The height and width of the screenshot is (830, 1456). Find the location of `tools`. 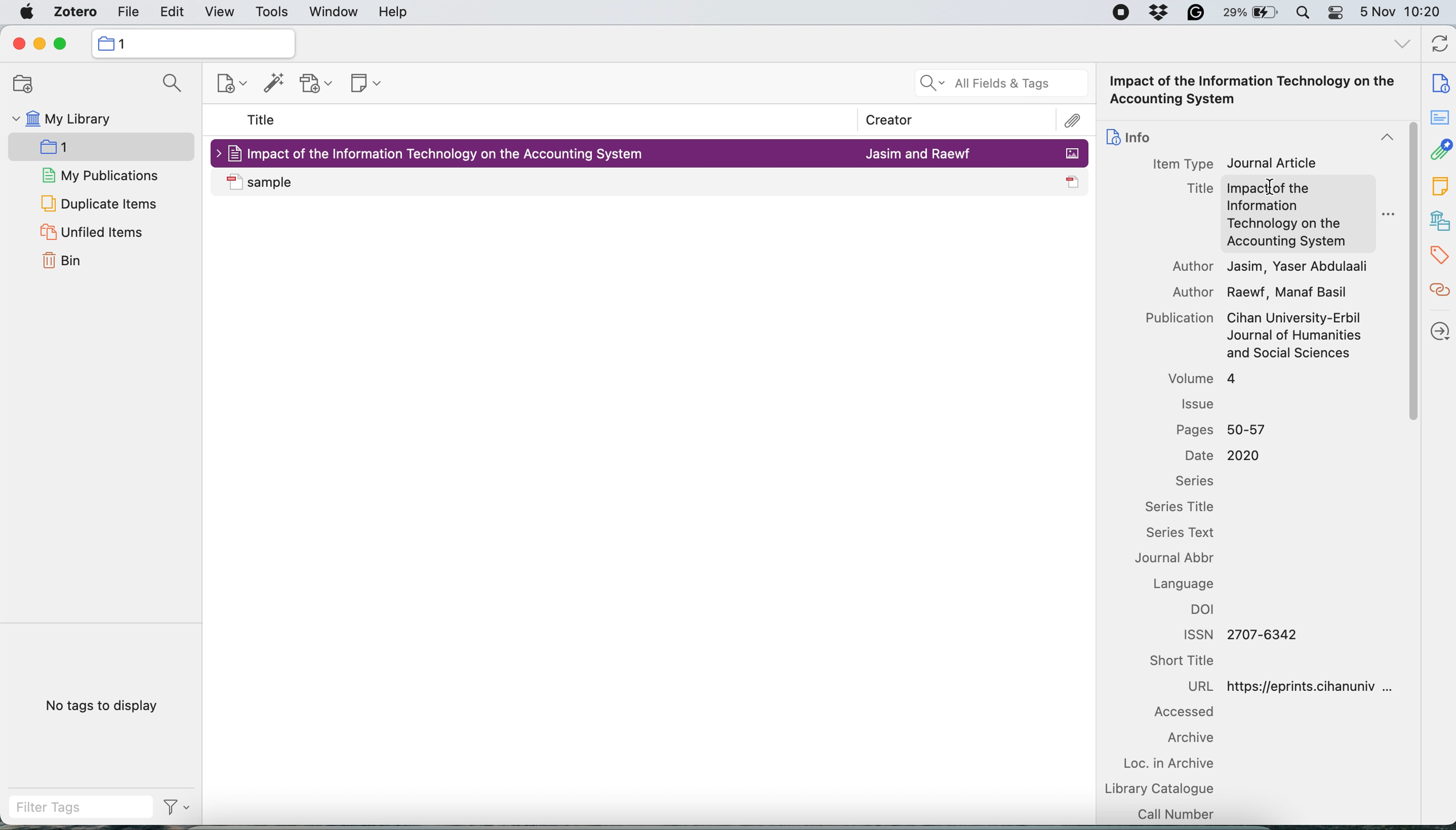

tools is located at coordinates (274, 12).